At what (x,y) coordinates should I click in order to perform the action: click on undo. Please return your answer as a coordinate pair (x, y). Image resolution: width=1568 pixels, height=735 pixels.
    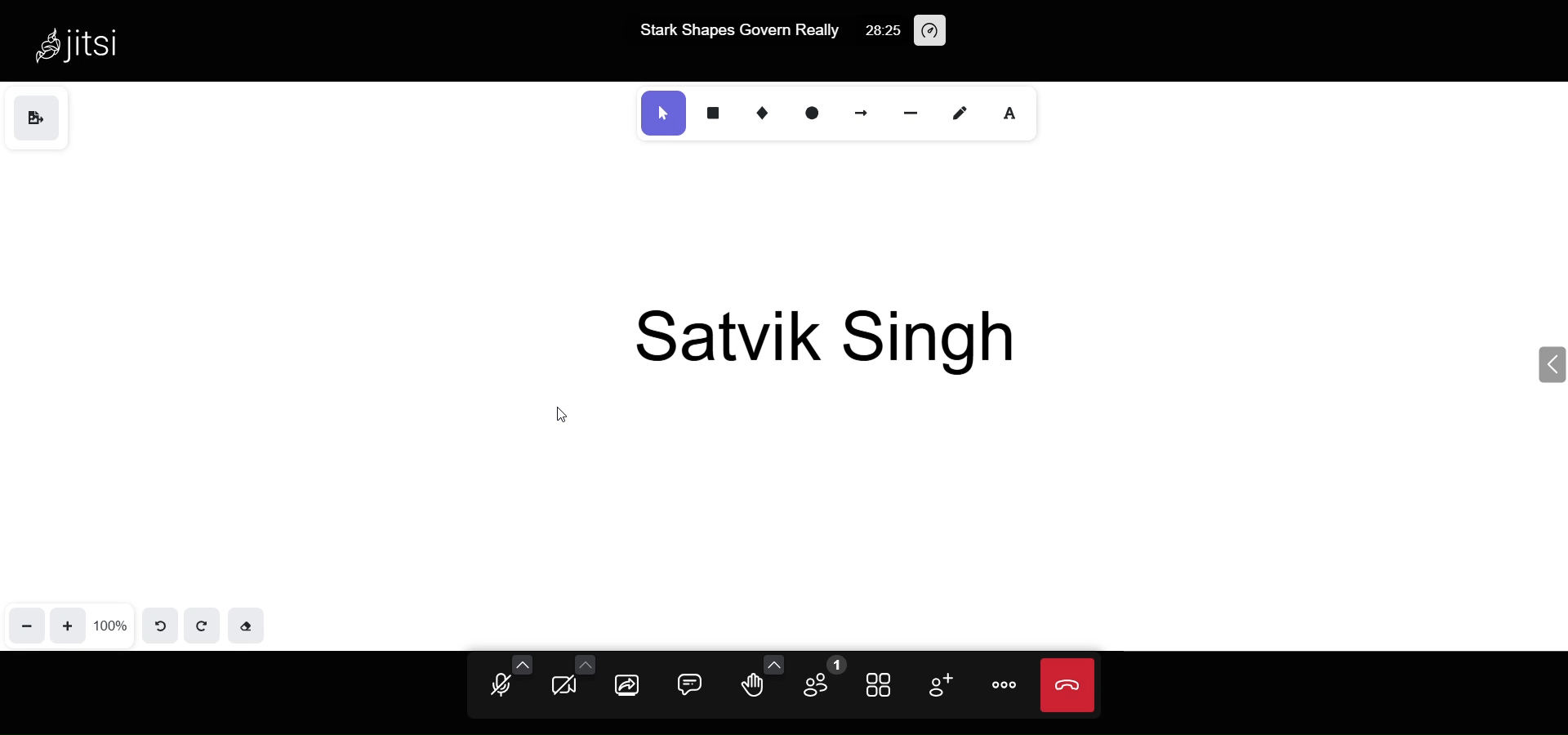
    Looking at the image, I should click on (162, 625).